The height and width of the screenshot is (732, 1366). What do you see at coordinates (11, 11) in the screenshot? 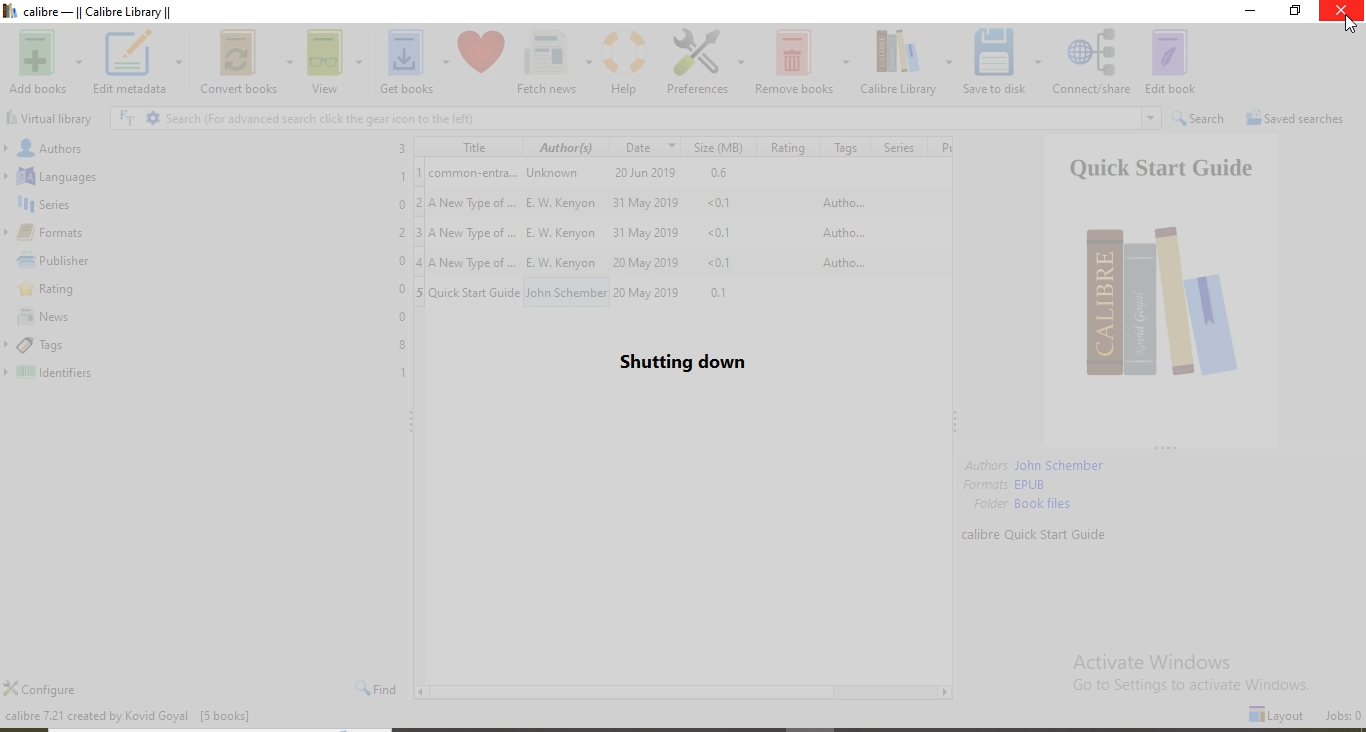
I see `Logo` at bounding box center [11, 11].